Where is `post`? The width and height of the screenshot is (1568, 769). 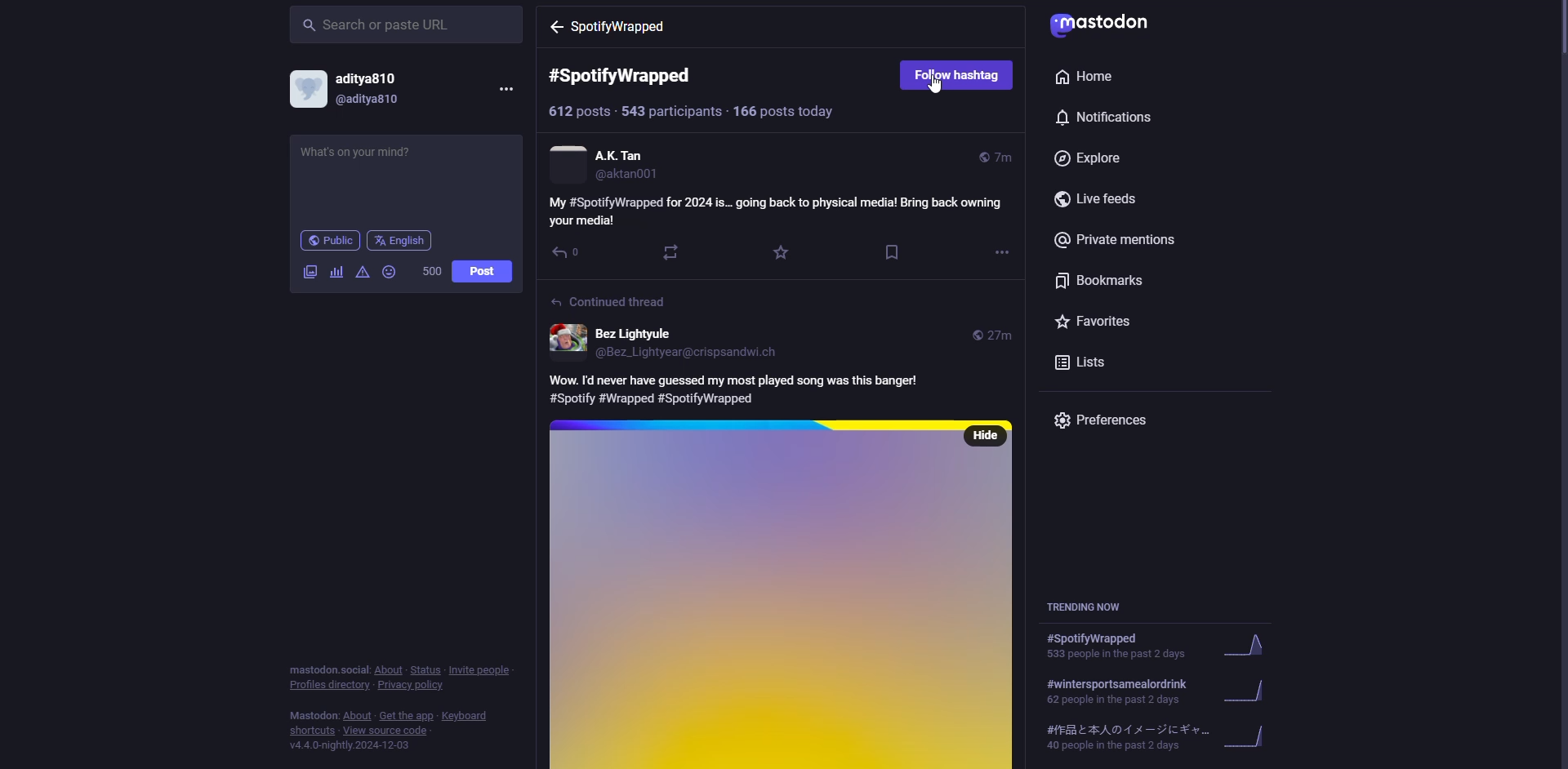
post is located at coordinates (741, 387).